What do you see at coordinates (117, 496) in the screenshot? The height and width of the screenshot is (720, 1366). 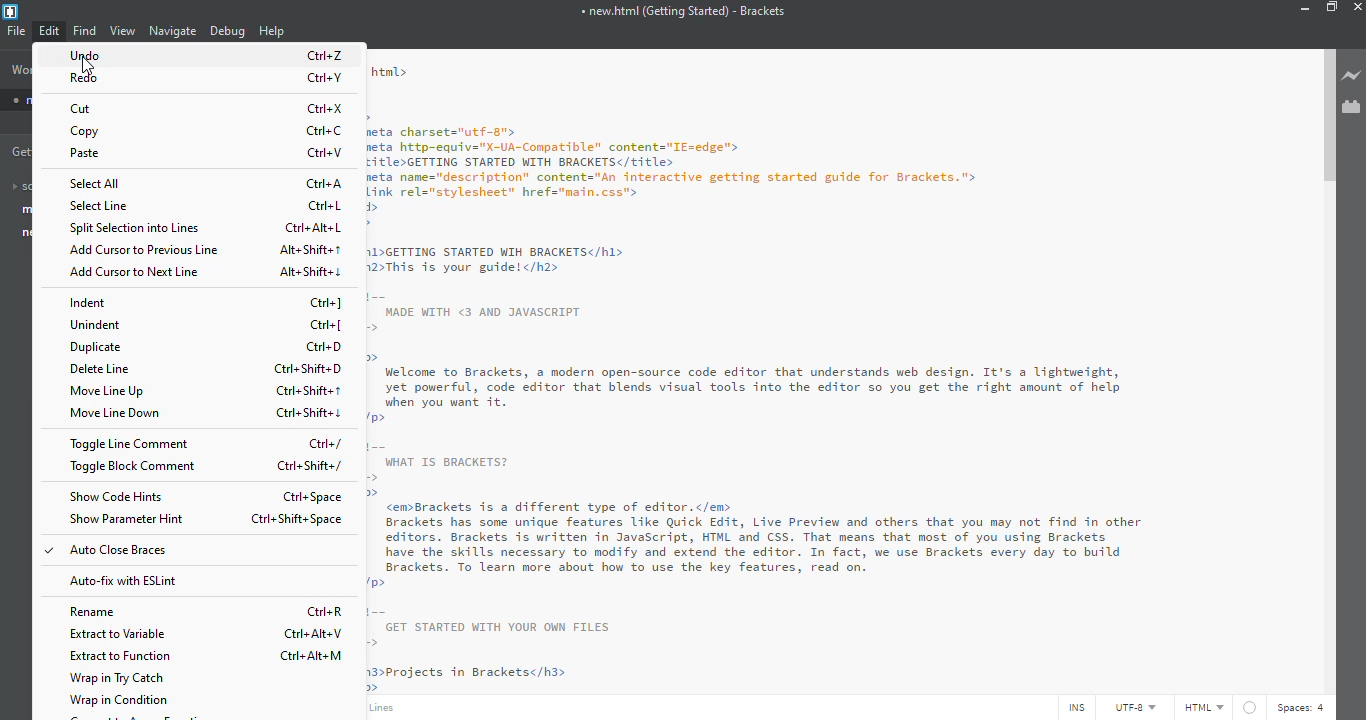 I see `show code hints` at bounding box center [117, 496].